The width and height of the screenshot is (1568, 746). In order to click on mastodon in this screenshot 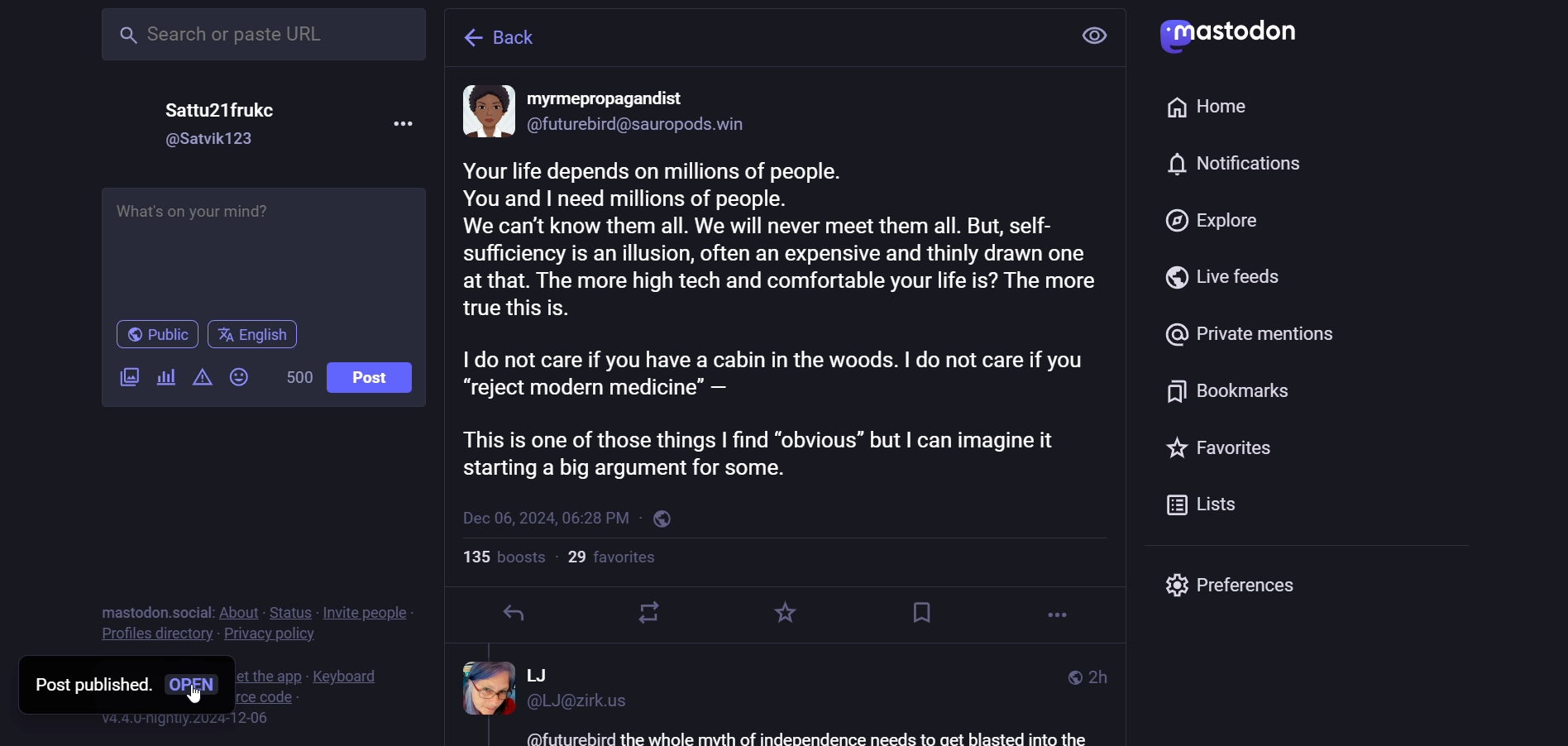, I will do `click(1232, 34)`.